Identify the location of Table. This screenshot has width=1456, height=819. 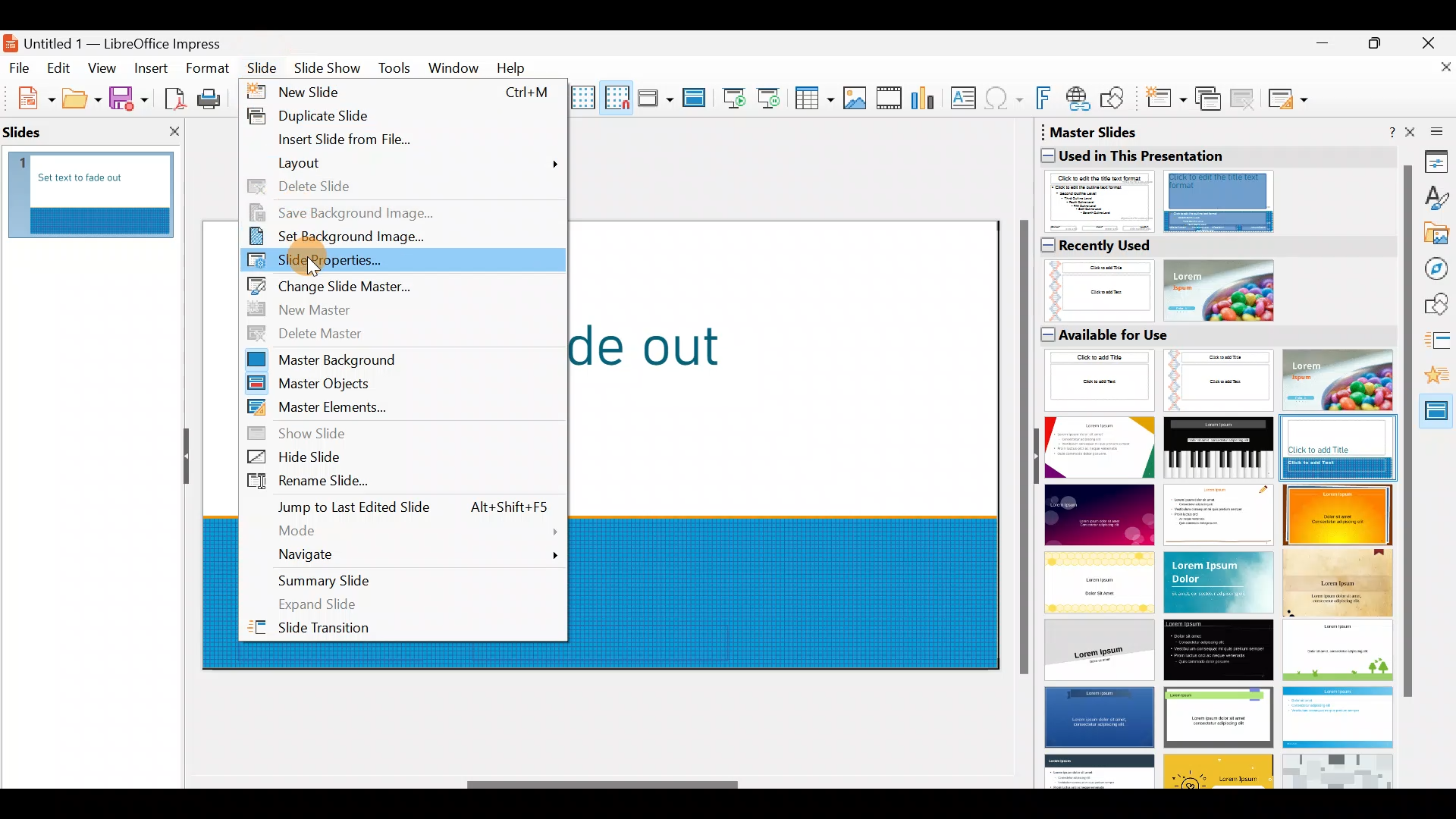
(815, 99).